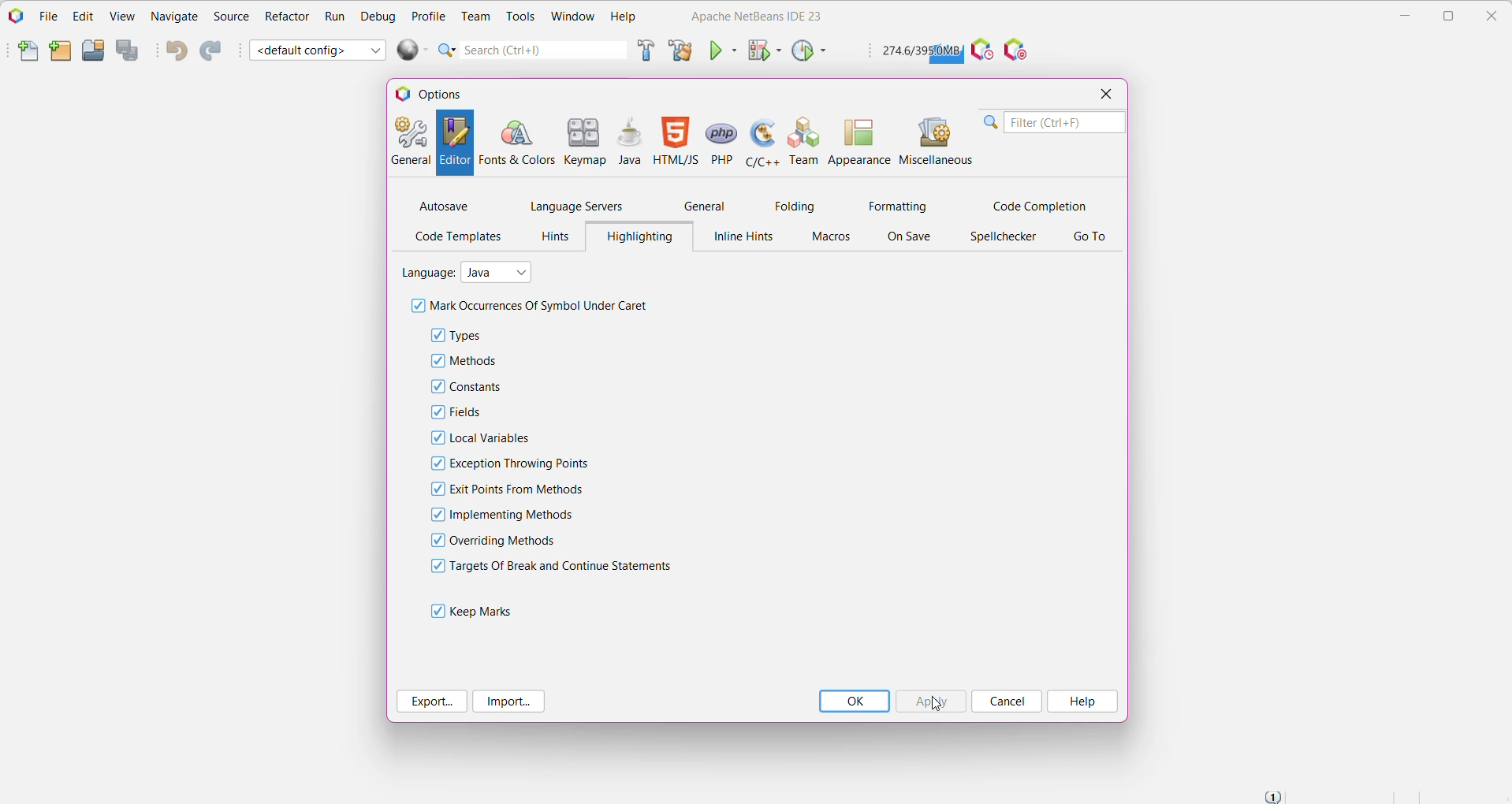  What do you see at coordinates (929, 702) in the screenshot?
I see `Click to Apply the Highlighting updates` at bounding box center [929, 702].